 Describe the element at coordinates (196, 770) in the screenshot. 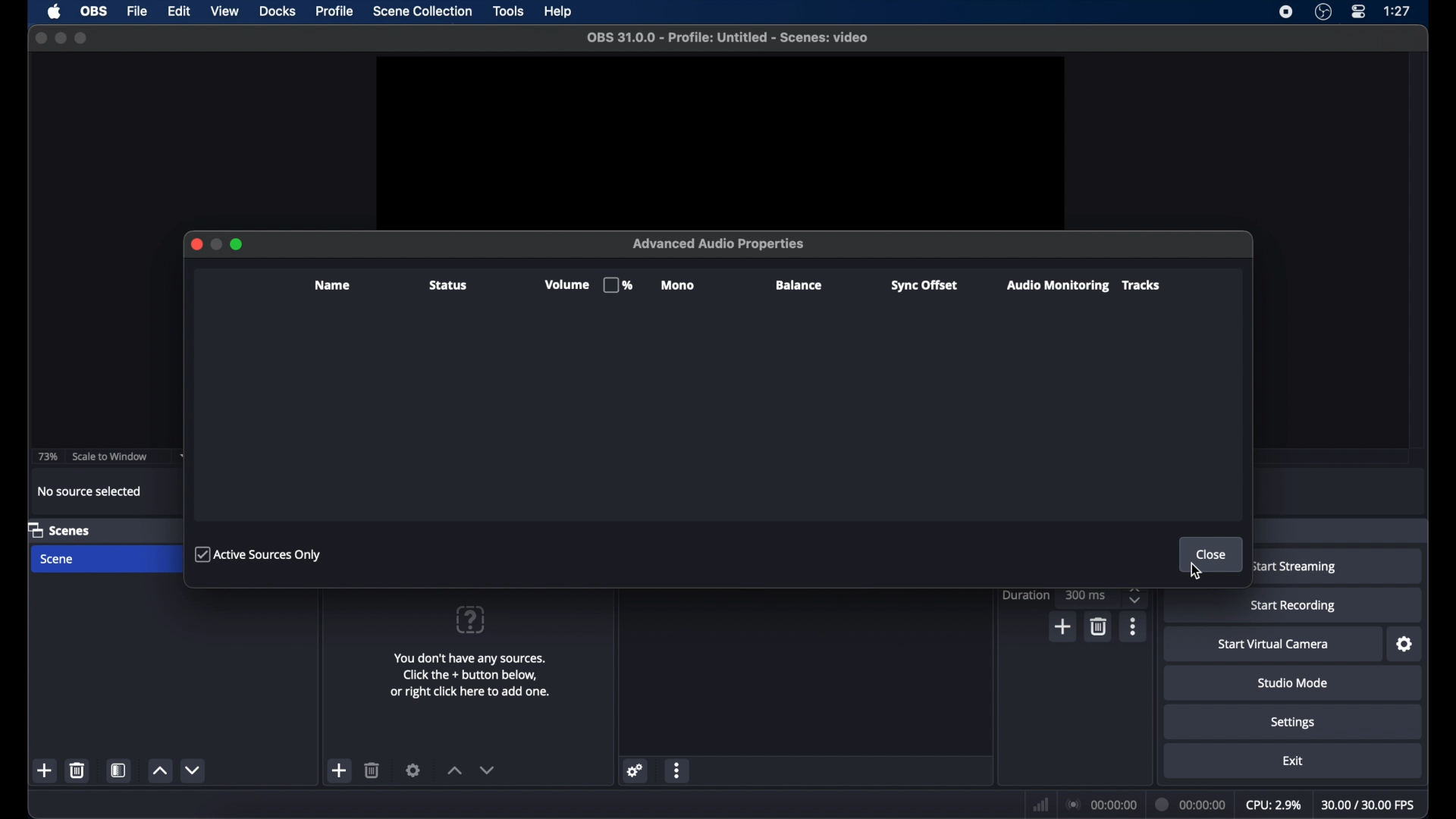

I see `decrement` at that location.